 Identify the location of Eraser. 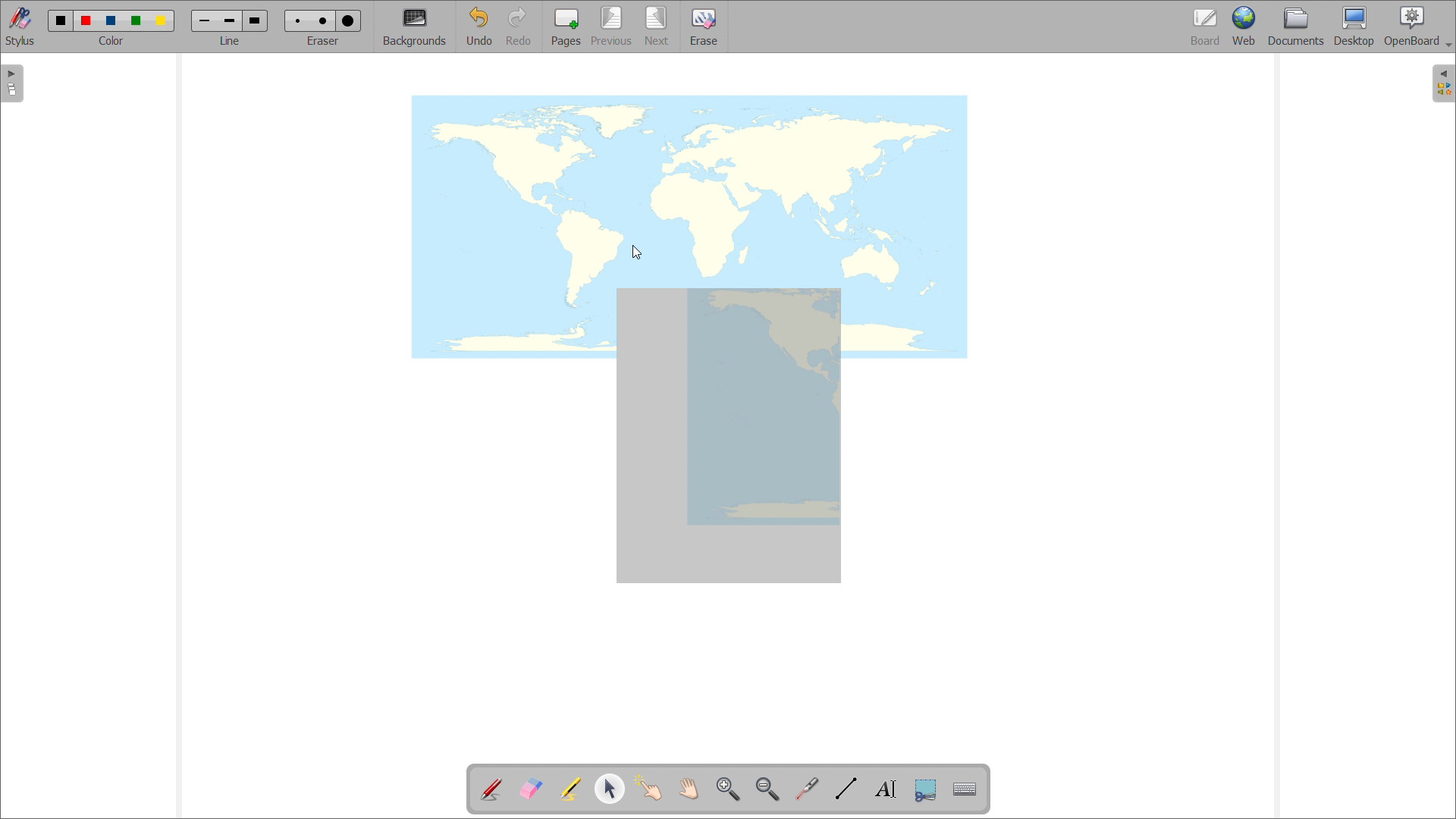
(325, 40).